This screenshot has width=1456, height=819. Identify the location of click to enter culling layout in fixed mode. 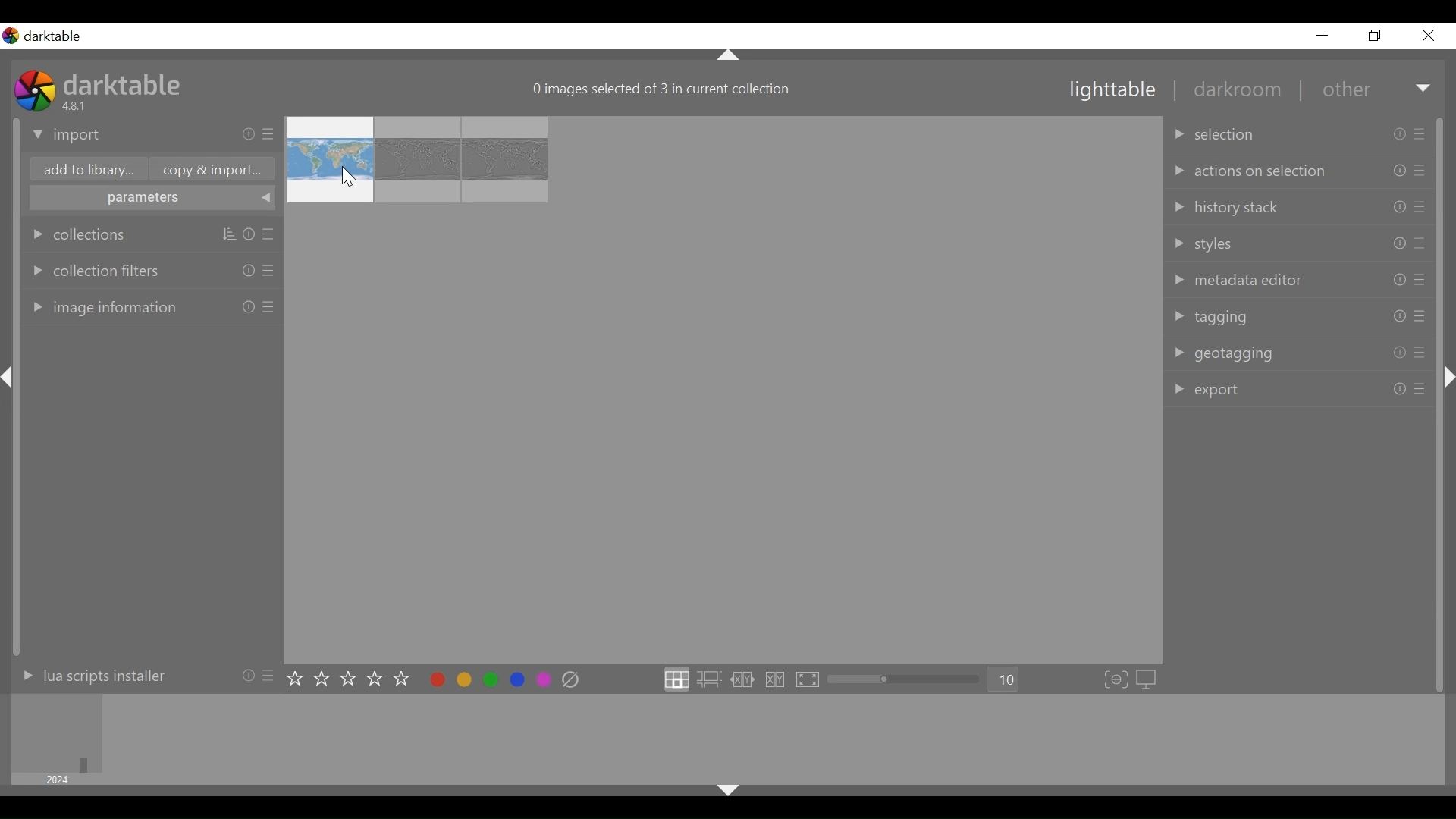
(742, 680).